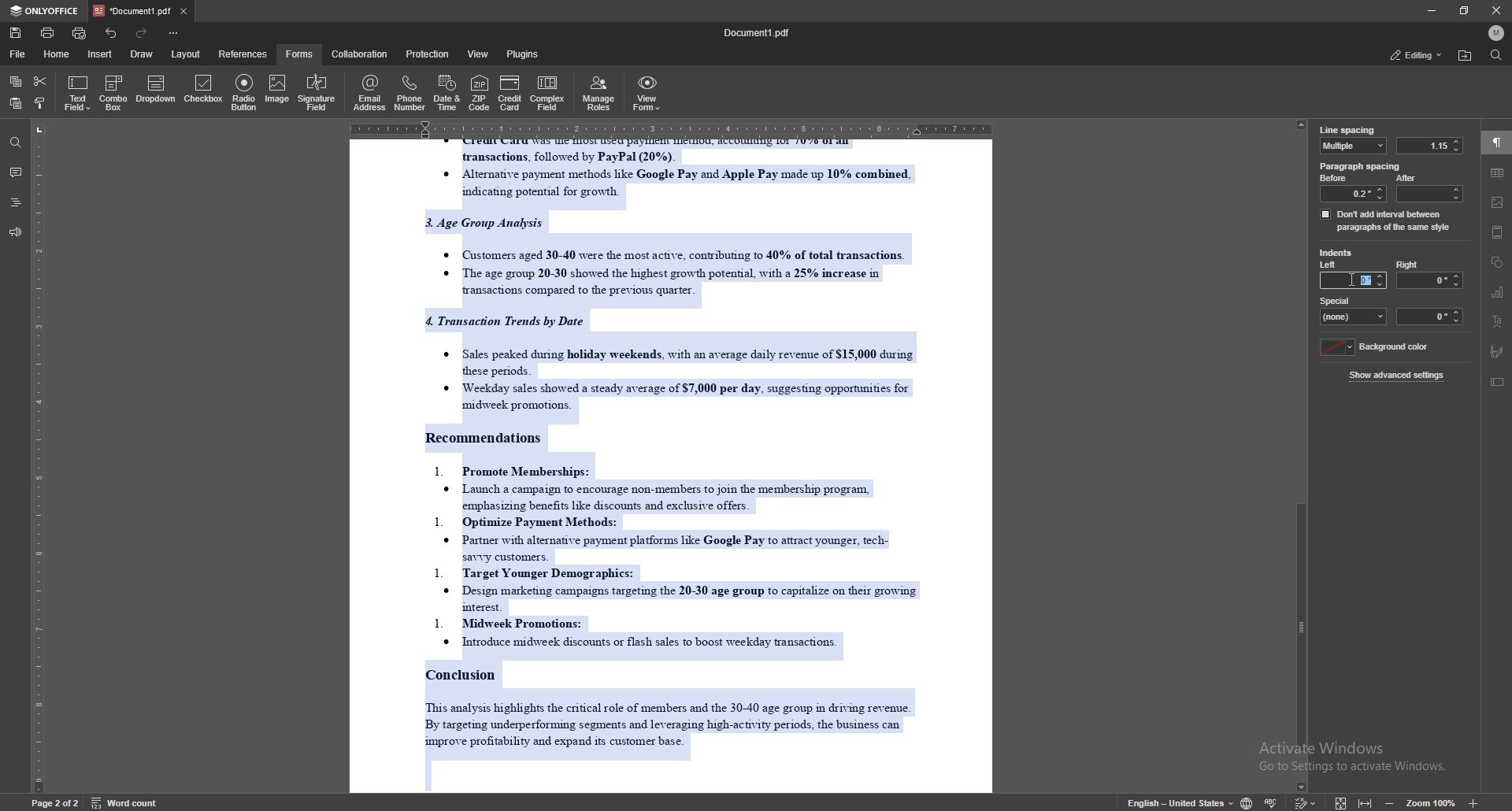 This screenshot has height=811, width=1512. Describe the element at coordinates (317, 94) in the screenshot. I see `signature field` at that location.